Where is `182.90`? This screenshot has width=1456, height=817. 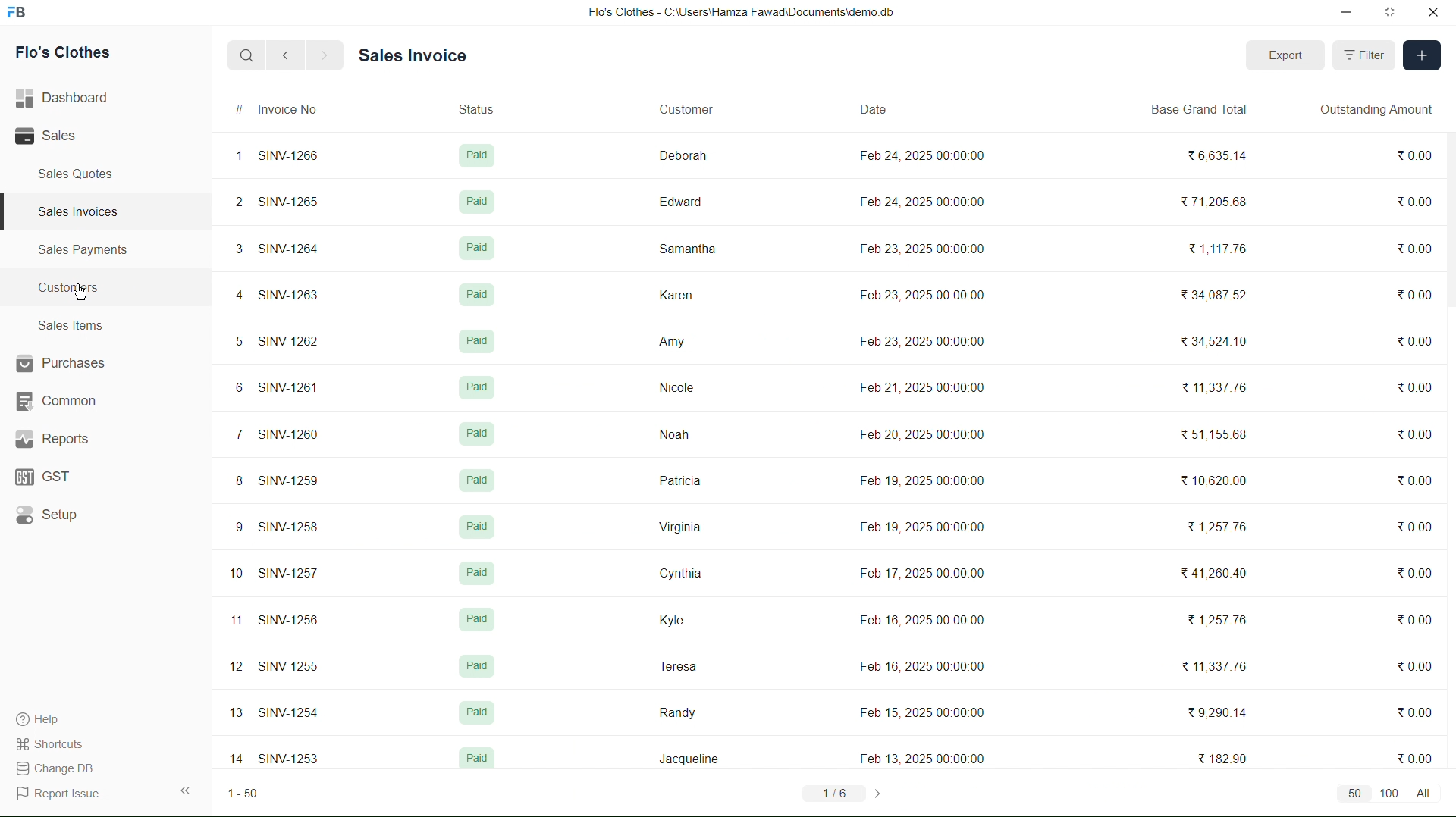 182.90 is located at coordinates (1221, 758).